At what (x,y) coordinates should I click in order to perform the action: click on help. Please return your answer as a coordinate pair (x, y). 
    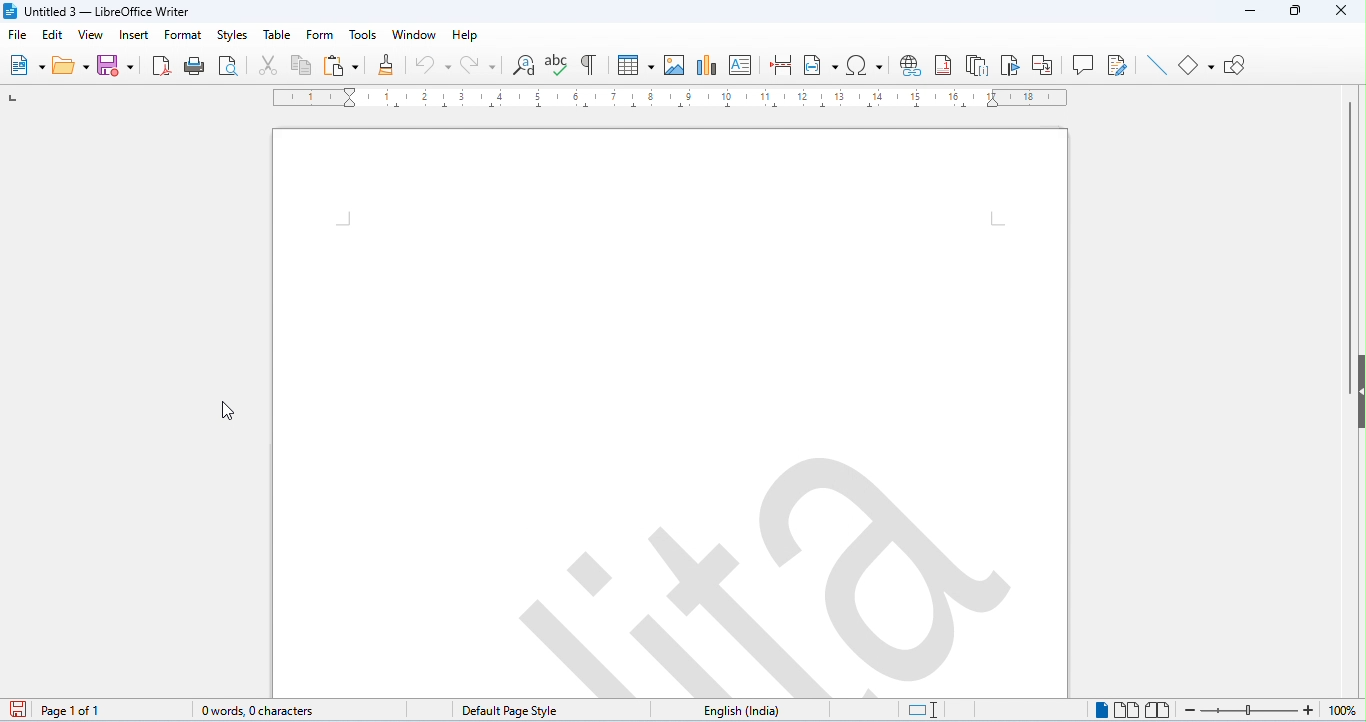
    Looking at the image, I should click on (465, 36).